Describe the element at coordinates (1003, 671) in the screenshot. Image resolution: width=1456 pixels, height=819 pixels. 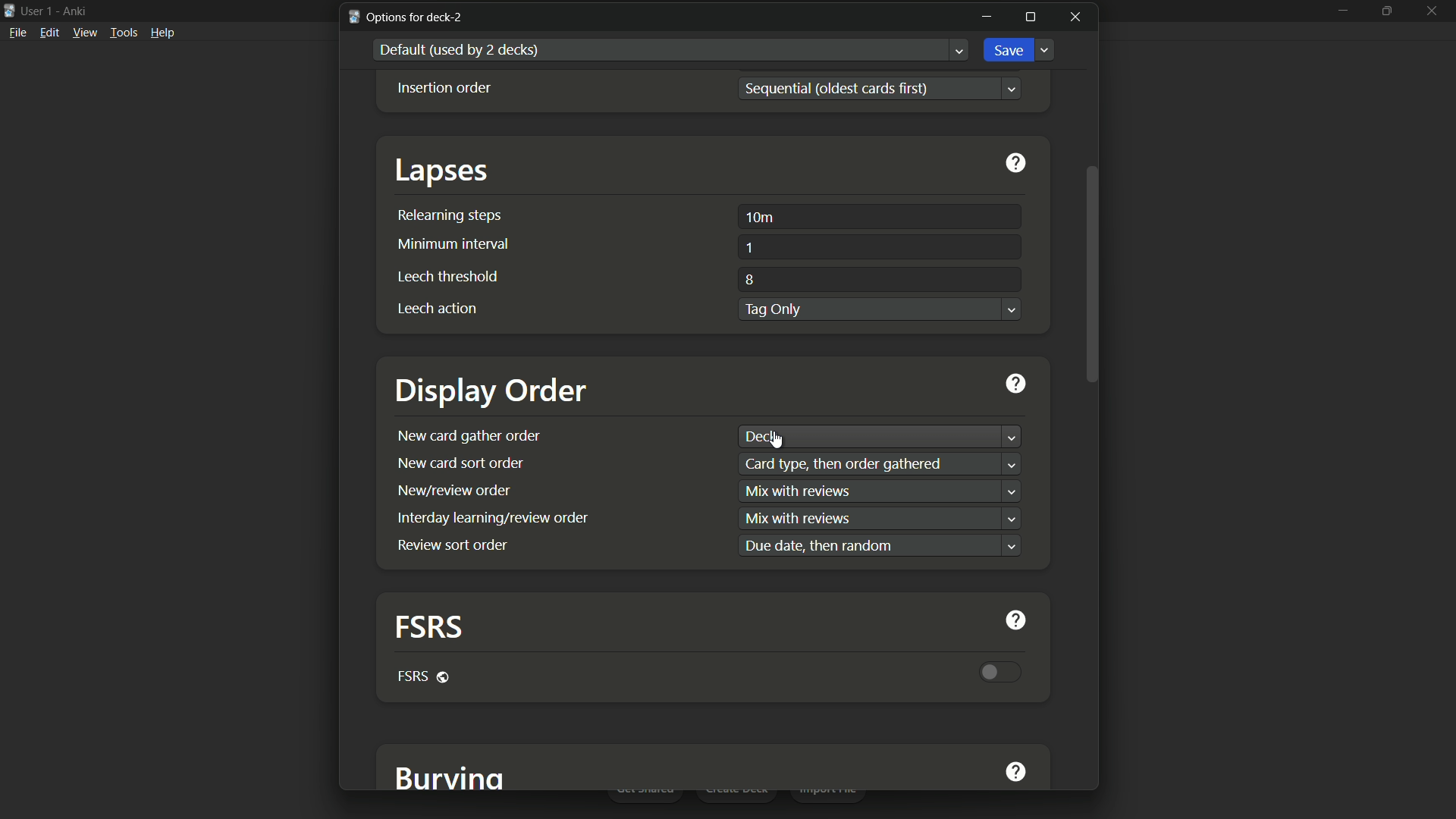
I see `toggle button` at that location.